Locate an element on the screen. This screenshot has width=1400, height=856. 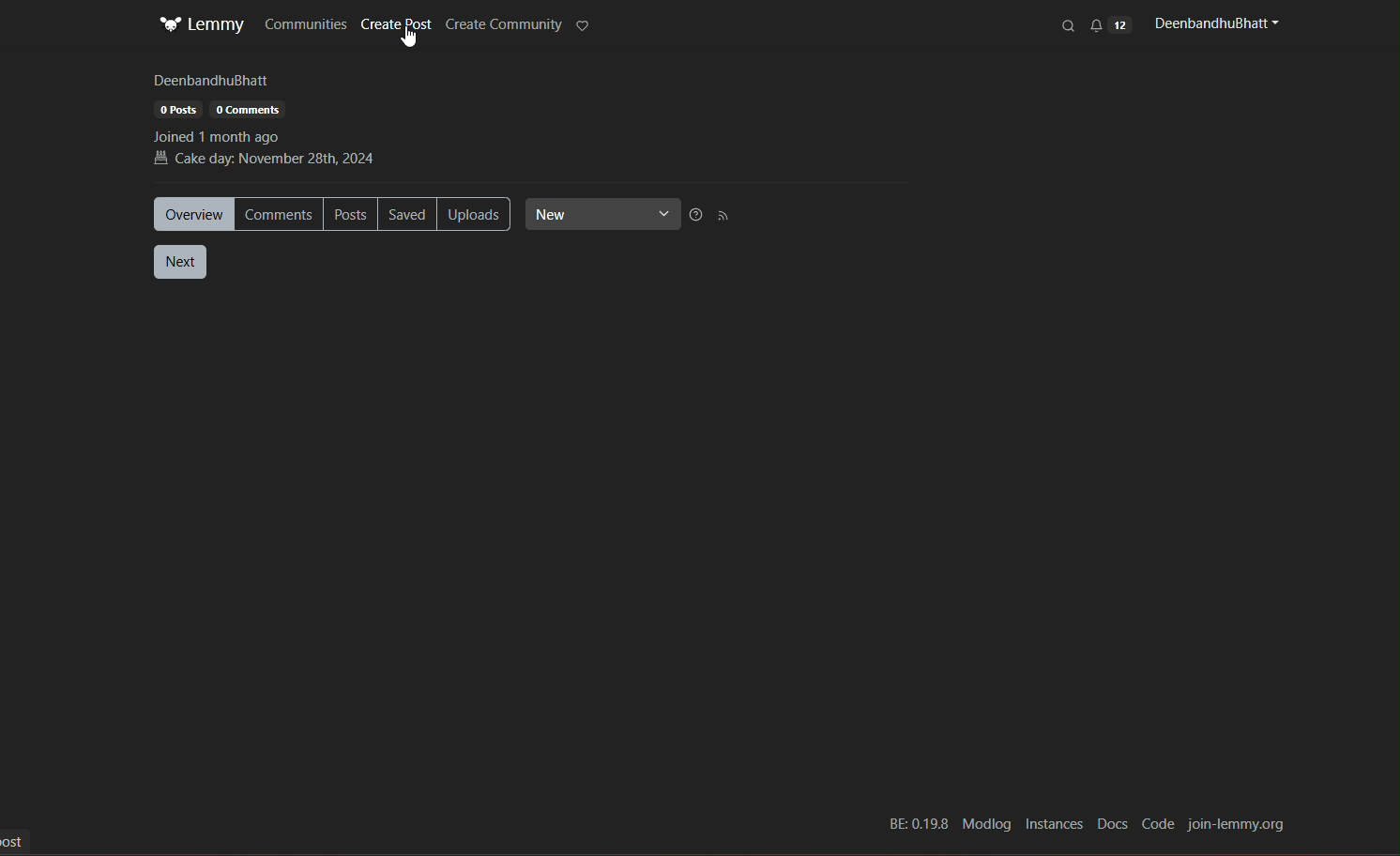
Posts is located at coordinates (354, 214).